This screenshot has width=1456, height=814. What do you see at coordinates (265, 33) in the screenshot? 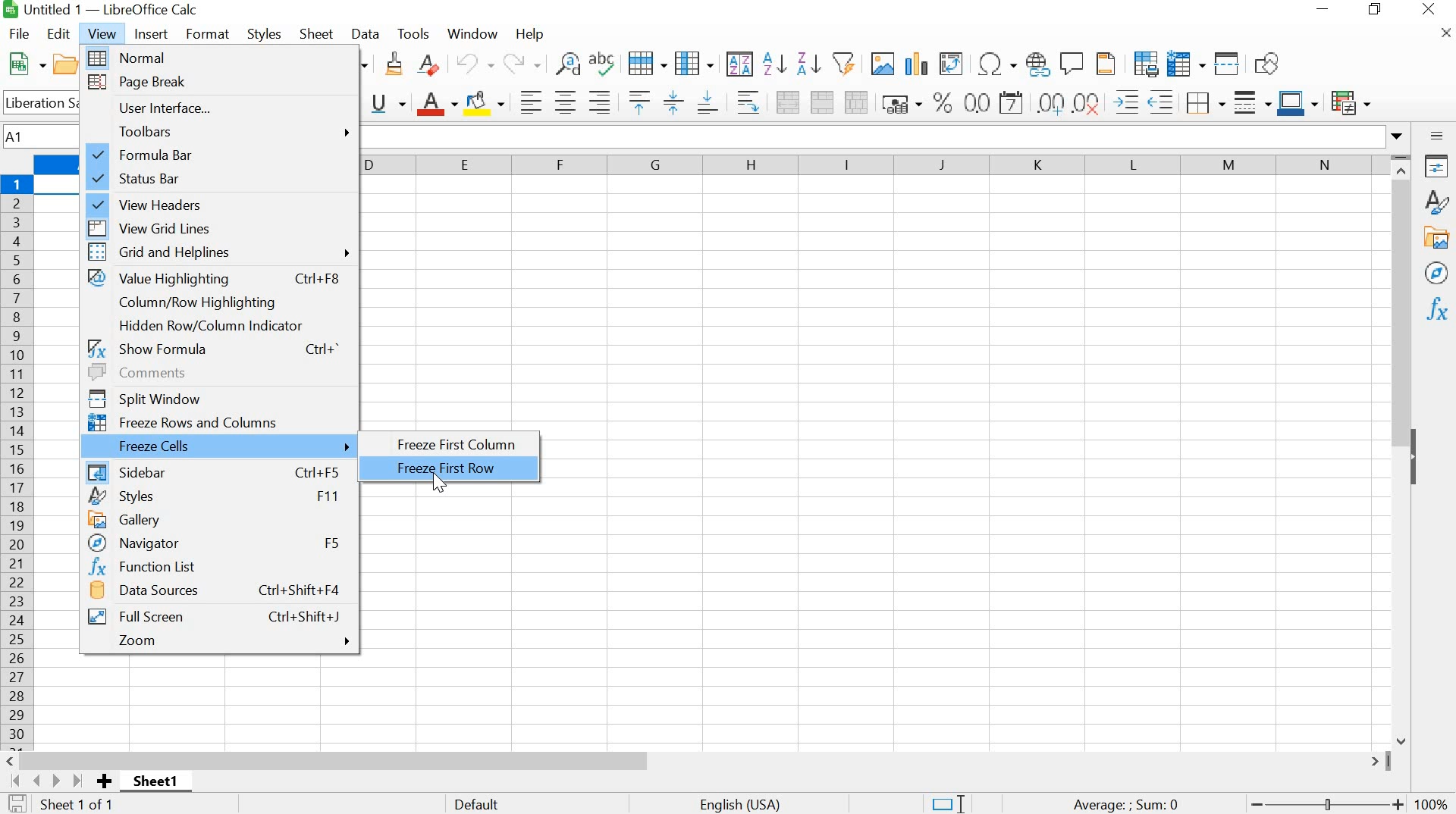
I see `STYLES` at bounding box center [265, 33].